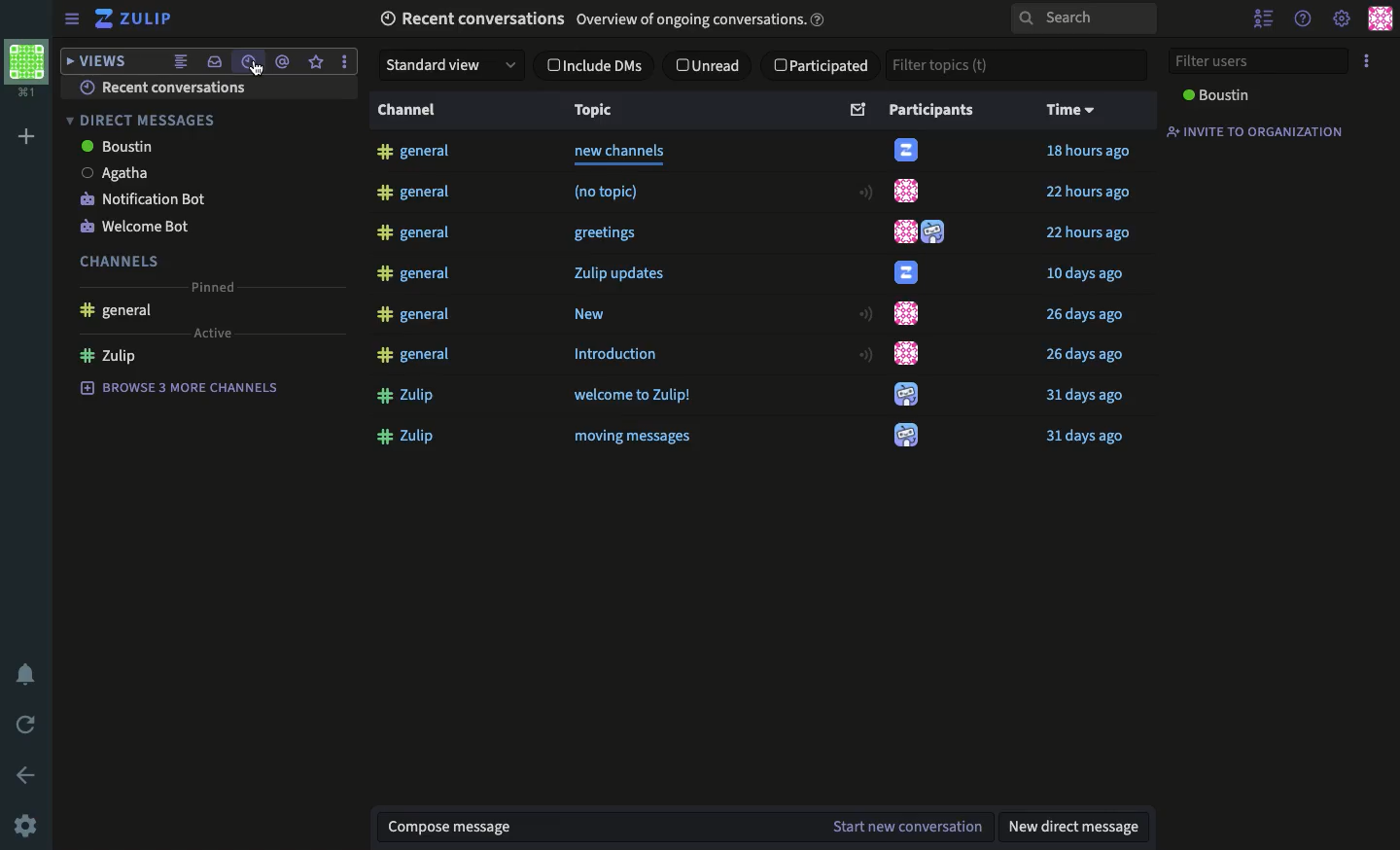 Image resolution: width=1400 pixels, height=850 pixels. What do you see at coordinates (27, 133) in the screenshot?
I see `add workspace` at bounding box center [27, 133].